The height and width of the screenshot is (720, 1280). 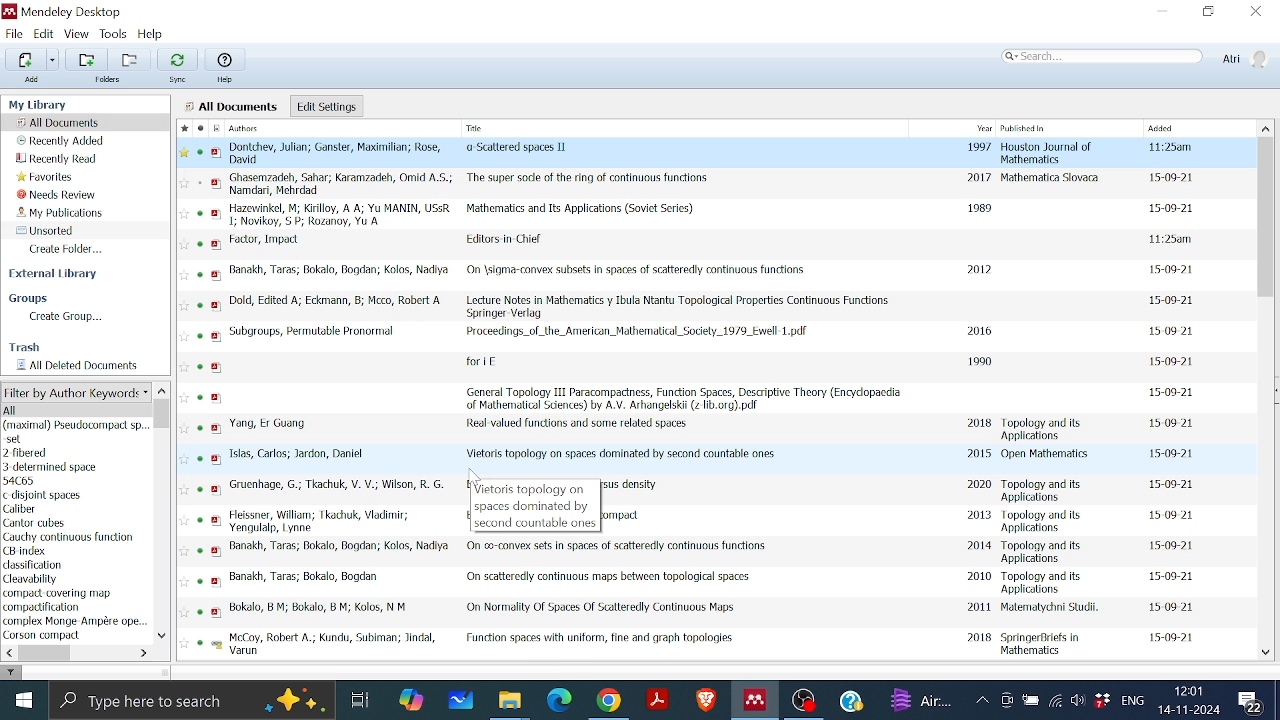 I want to click on Move up in filter by author keyword, so click(x=163, y=390).